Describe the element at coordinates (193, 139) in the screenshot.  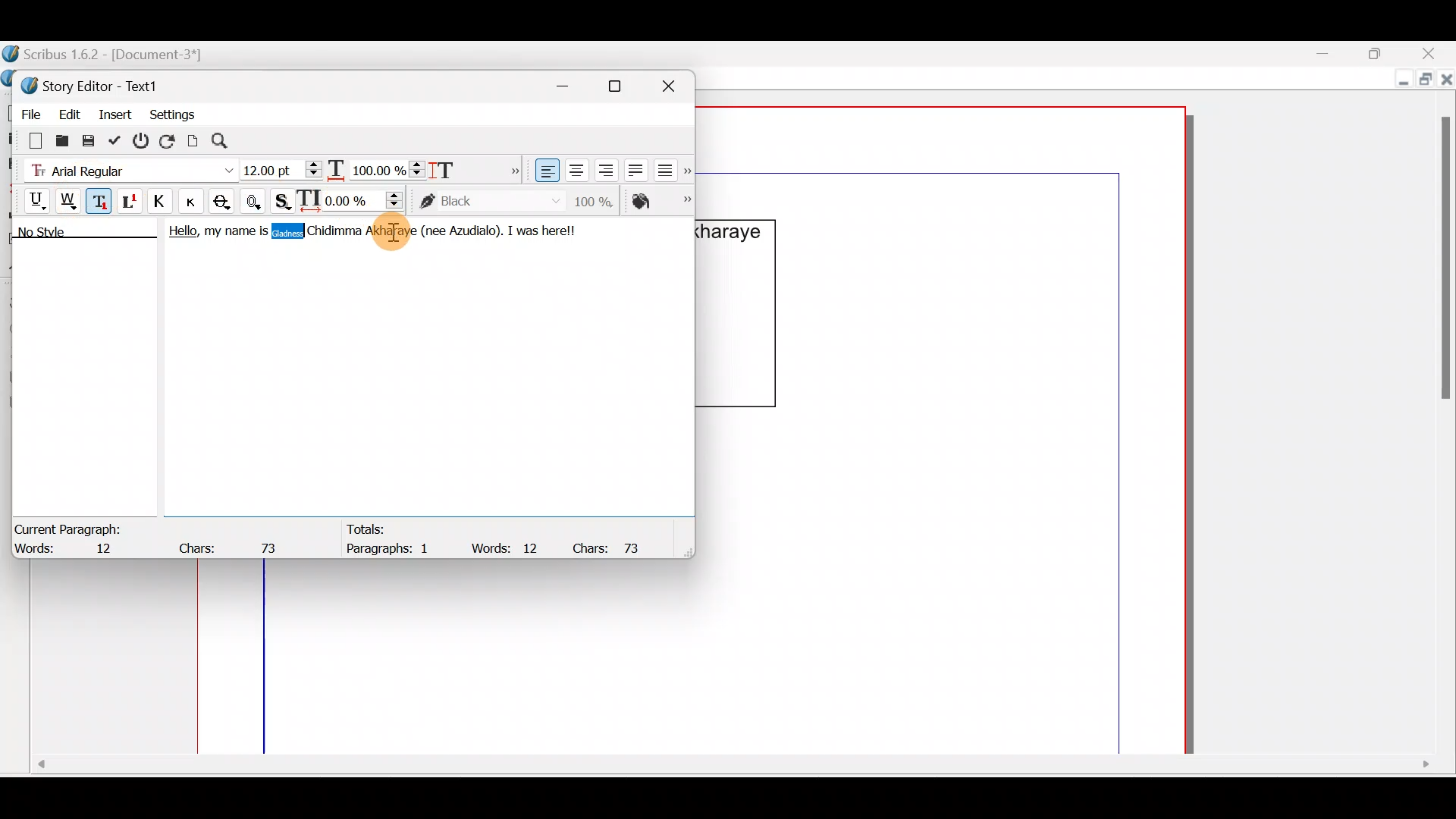
I see `Update text frame` at that location.